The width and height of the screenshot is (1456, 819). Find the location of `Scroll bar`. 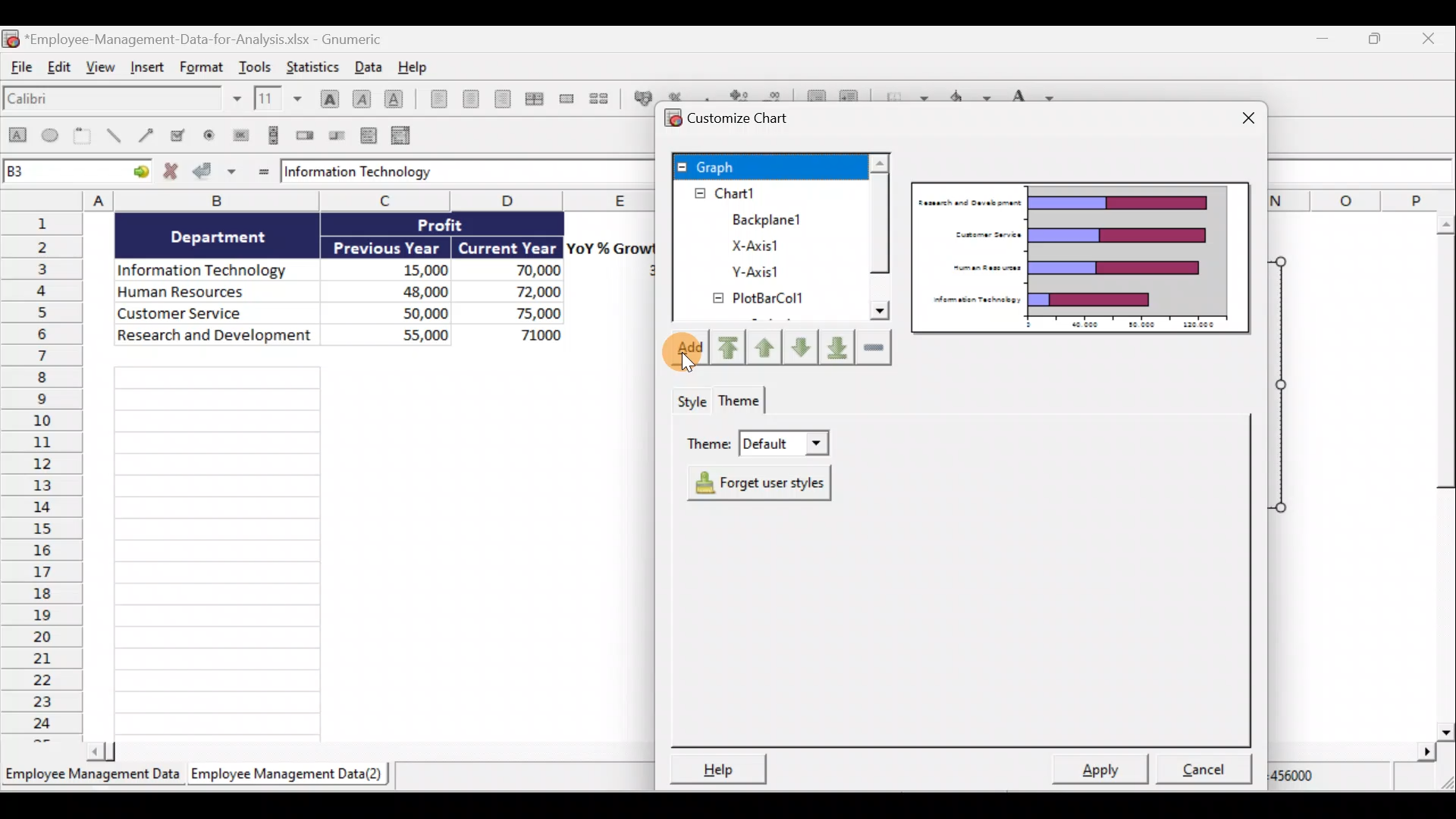

Scroll bar is located at coordinates (1439, 473).